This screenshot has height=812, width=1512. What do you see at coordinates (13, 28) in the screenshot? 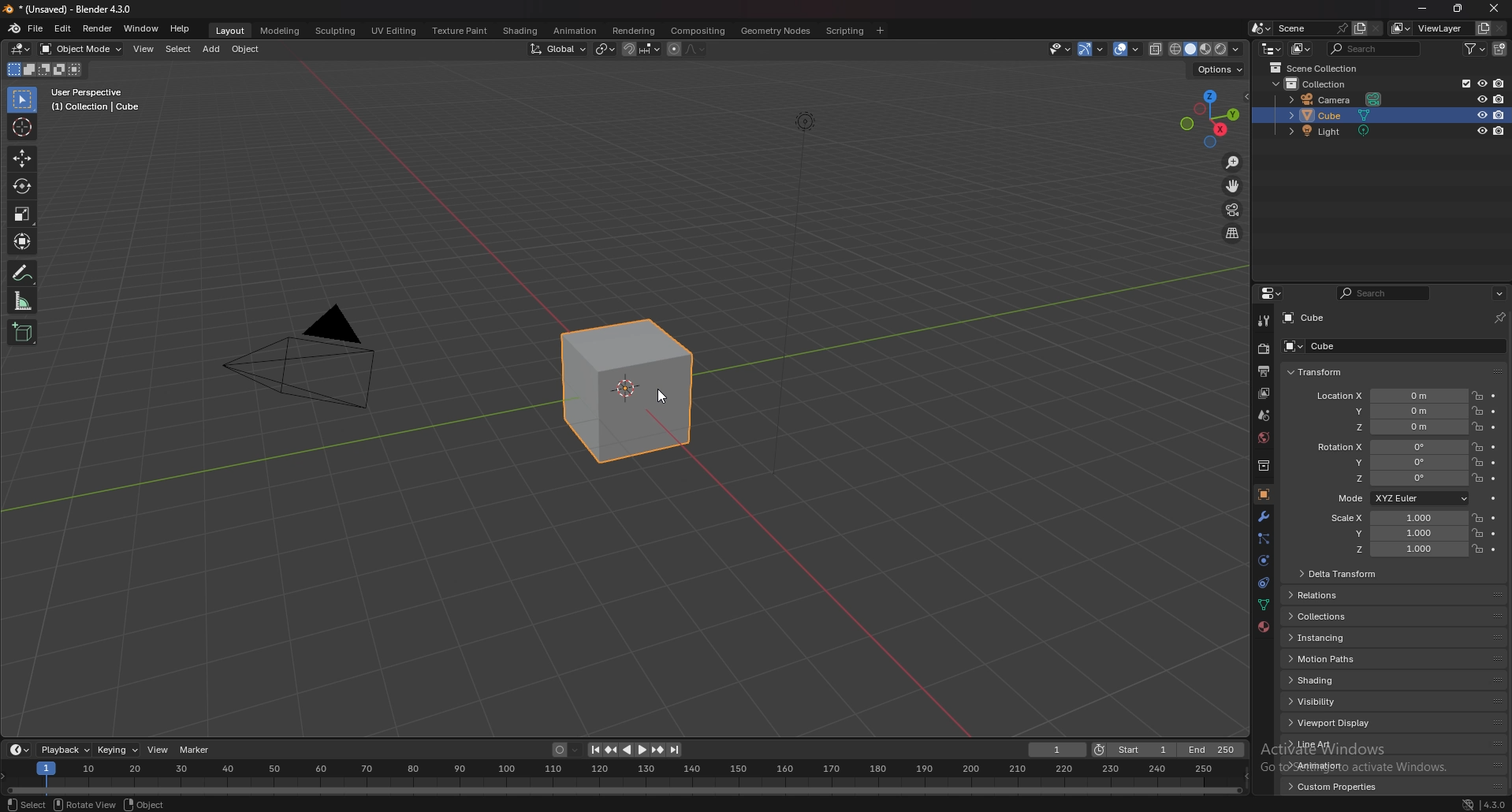
I see `blender` at bounding box center [13, 28].